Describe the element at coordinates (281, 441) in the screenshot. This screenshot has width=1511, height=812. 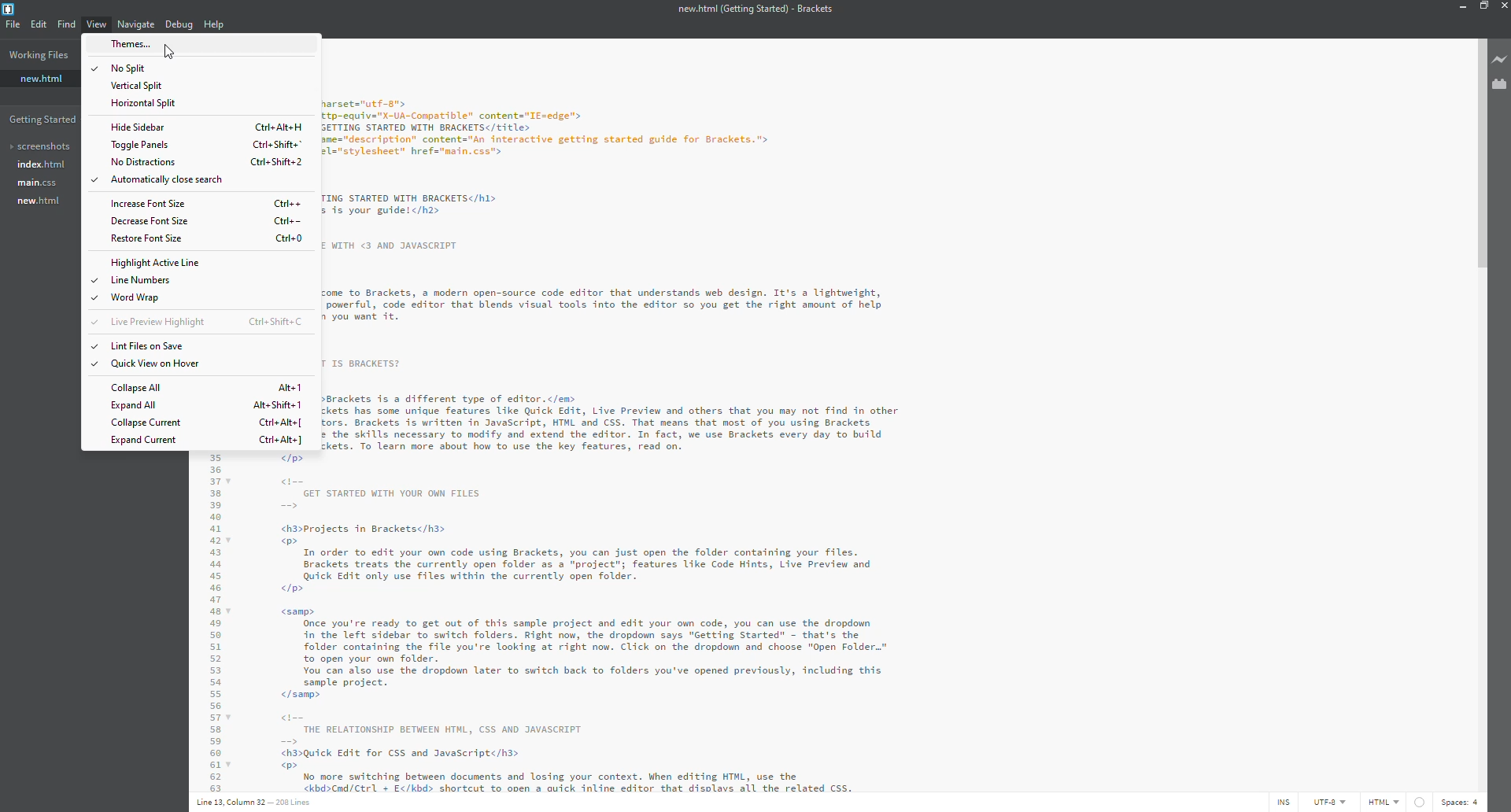
I see `shortcut` at that location.